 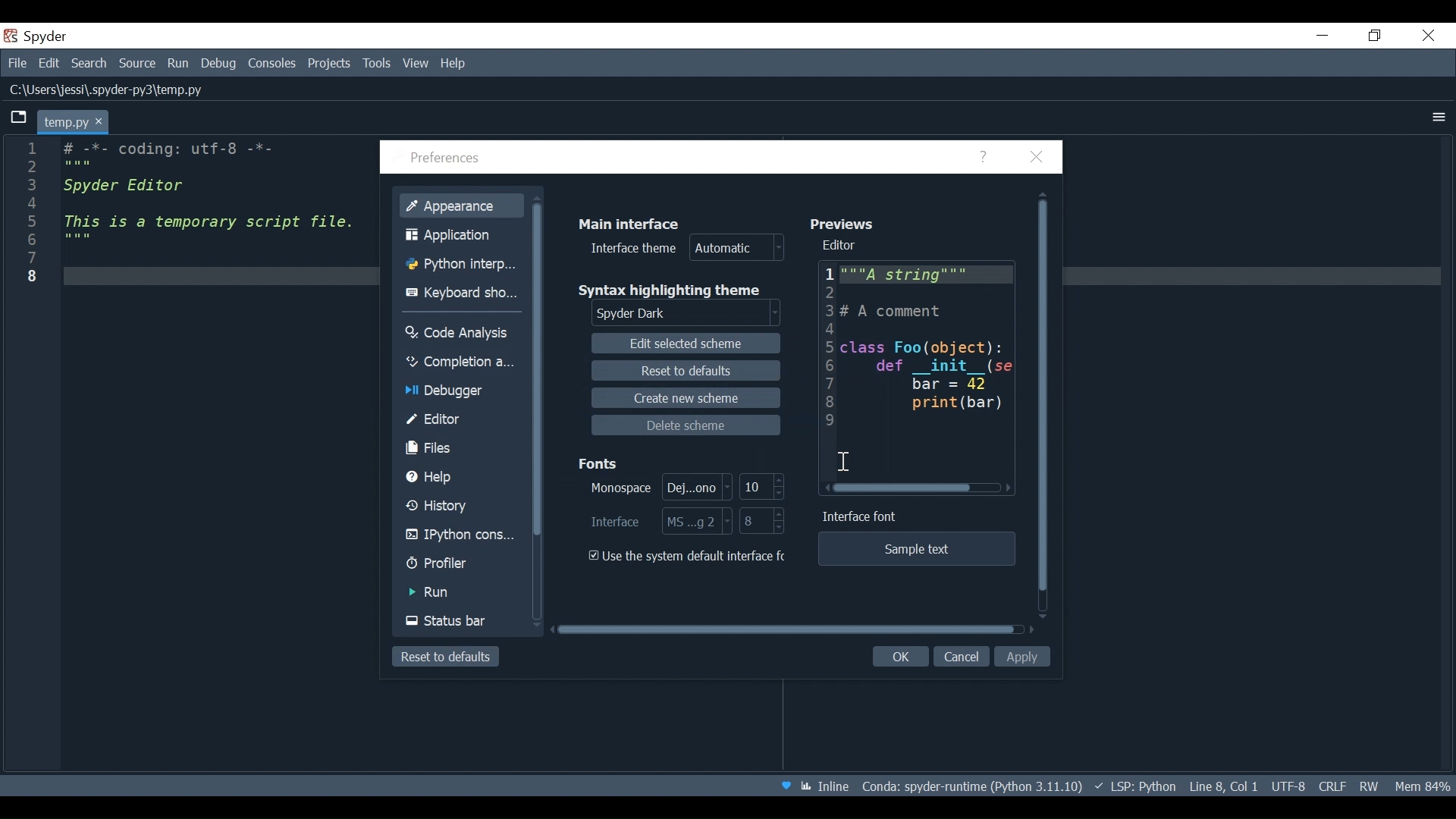 What do you see at coordinates (461, 419) in the screenshot?
I see `Editor` at bounding box center [461, 419].